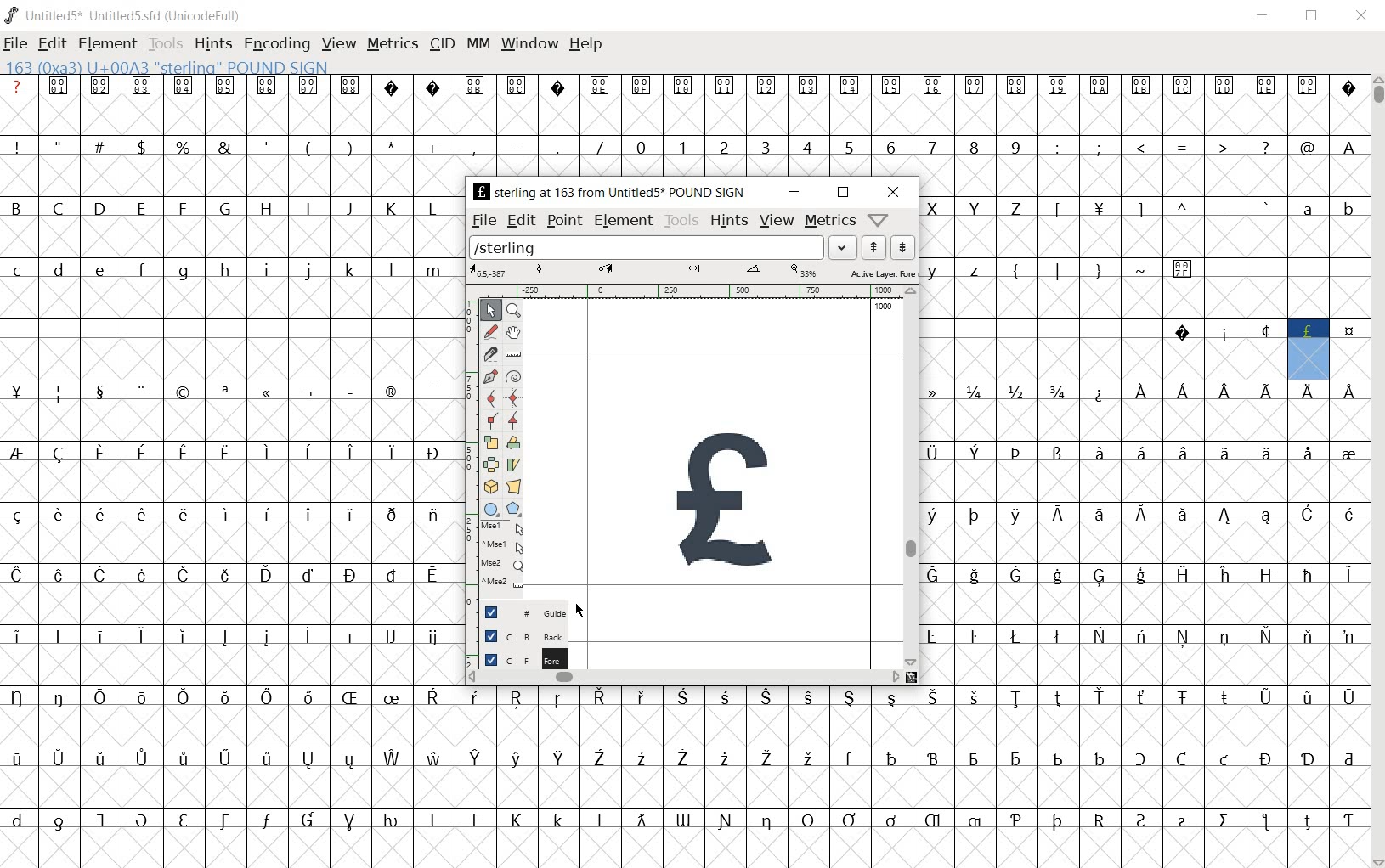  Describe the element at coordinates (442, 45) in the screenshot. I see `CID` at that location.